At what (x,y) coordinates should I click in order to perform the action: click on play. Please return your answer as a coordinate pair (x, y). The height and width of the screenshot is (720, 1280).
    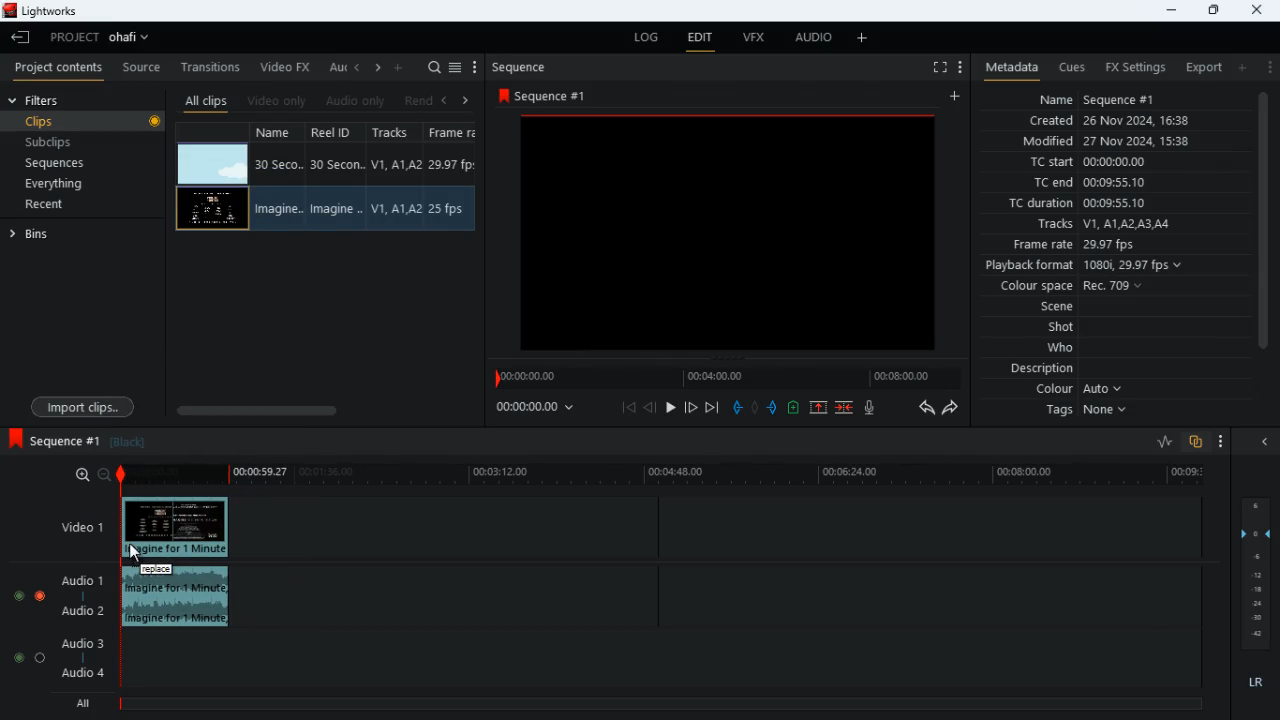
    Looking at the image, I should click on (669, 408).